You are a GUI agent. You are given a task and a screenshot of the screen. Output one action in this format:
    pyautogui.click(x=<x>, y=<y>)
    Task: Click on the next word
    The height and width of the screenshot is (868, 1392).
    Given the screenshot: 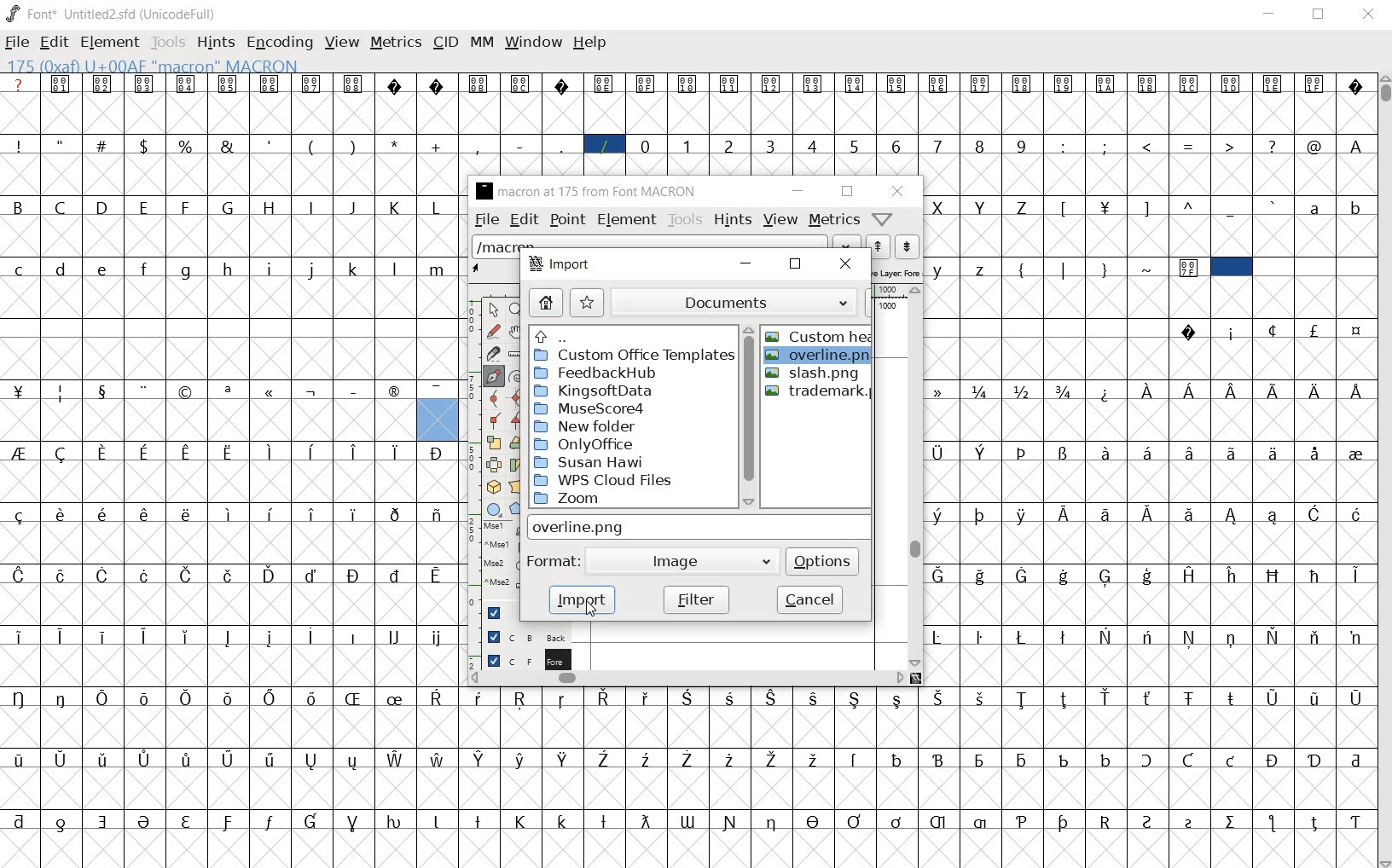 What is the action you would take?
    pyautogui.click(x=908, y=246)
    